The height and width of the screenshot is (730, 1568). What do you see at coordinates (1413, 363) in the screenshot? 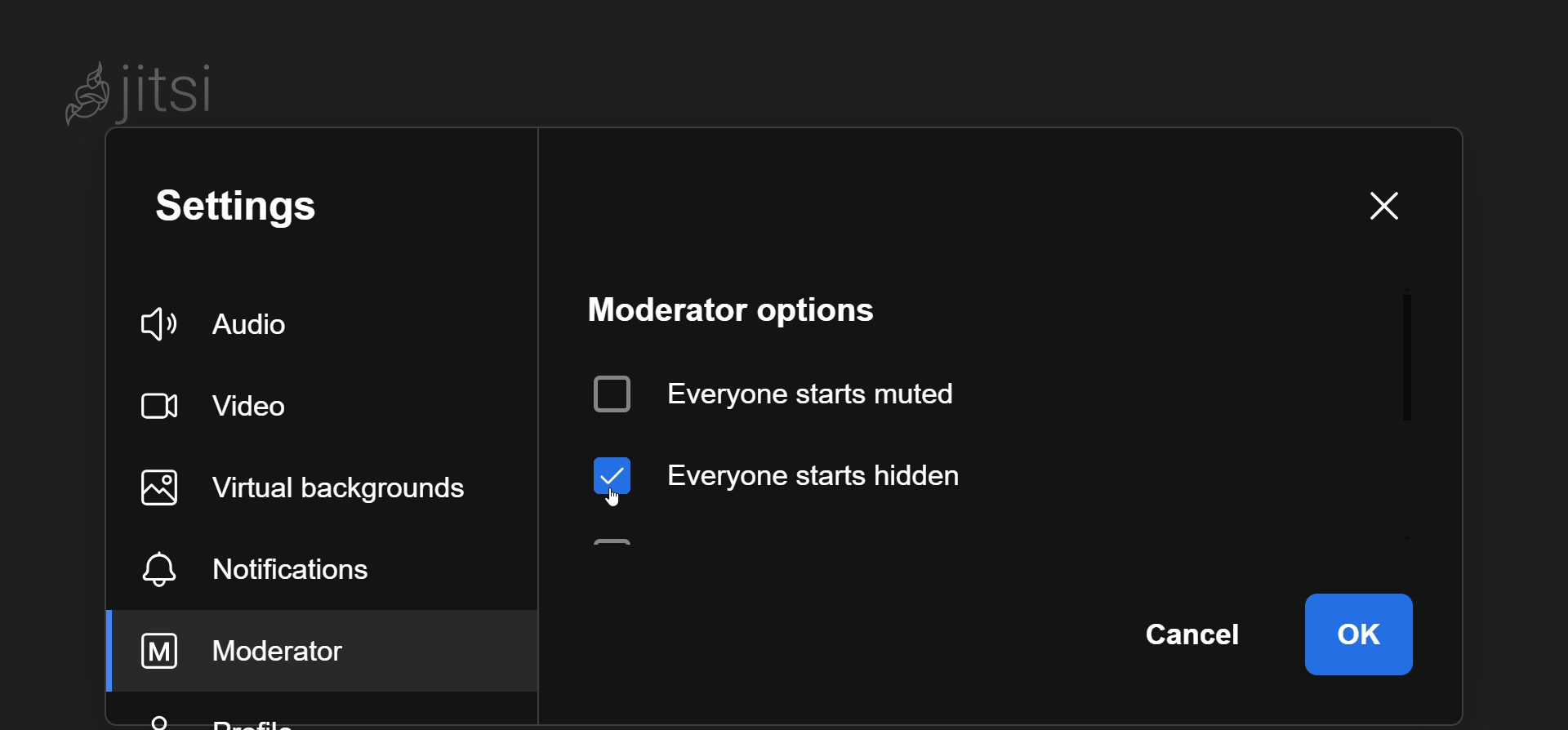
I see `scroll bar` at bounding box center [1413, 363].